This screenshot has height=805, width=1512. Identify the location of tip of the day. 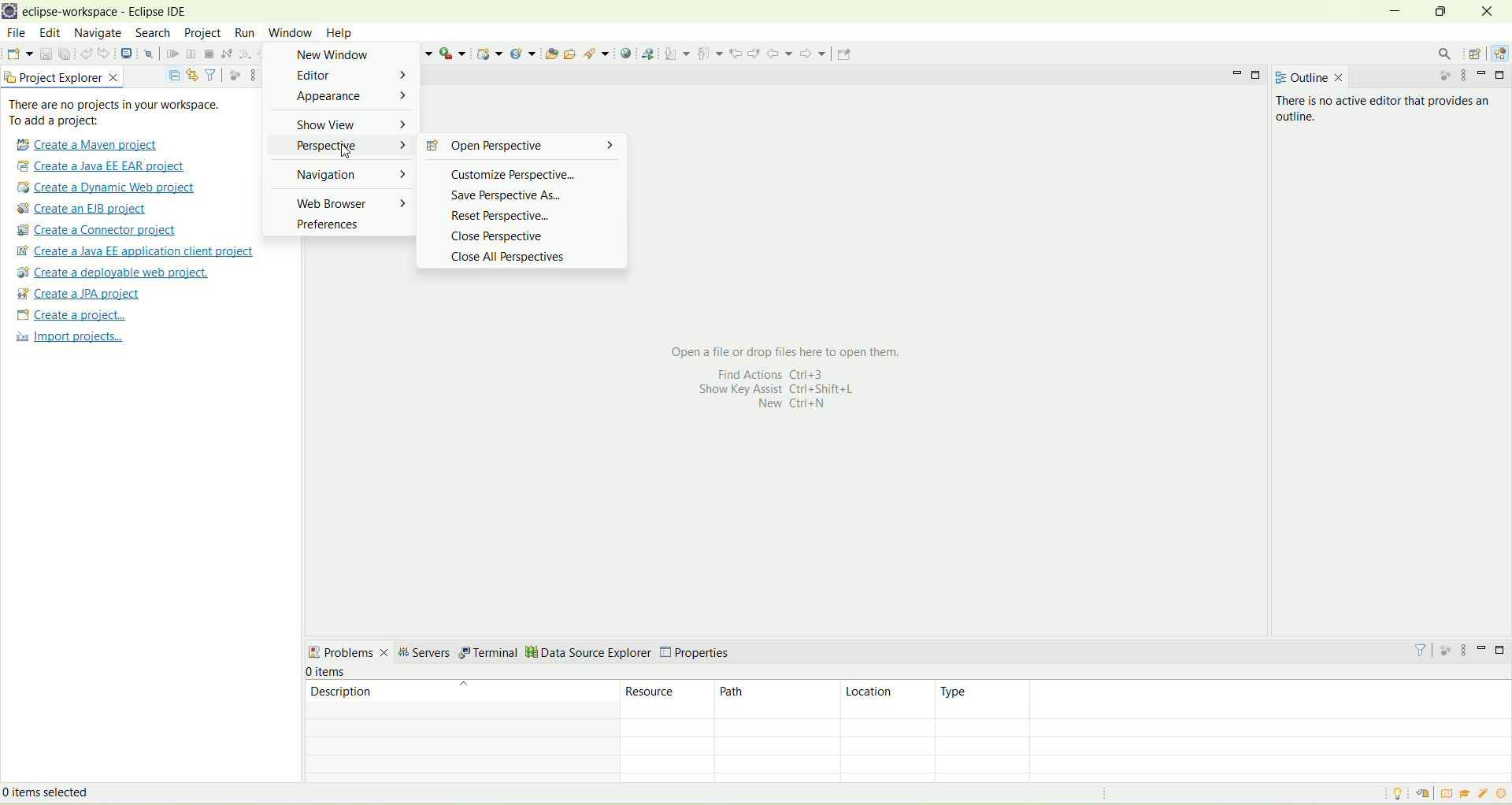
(1395, 794).